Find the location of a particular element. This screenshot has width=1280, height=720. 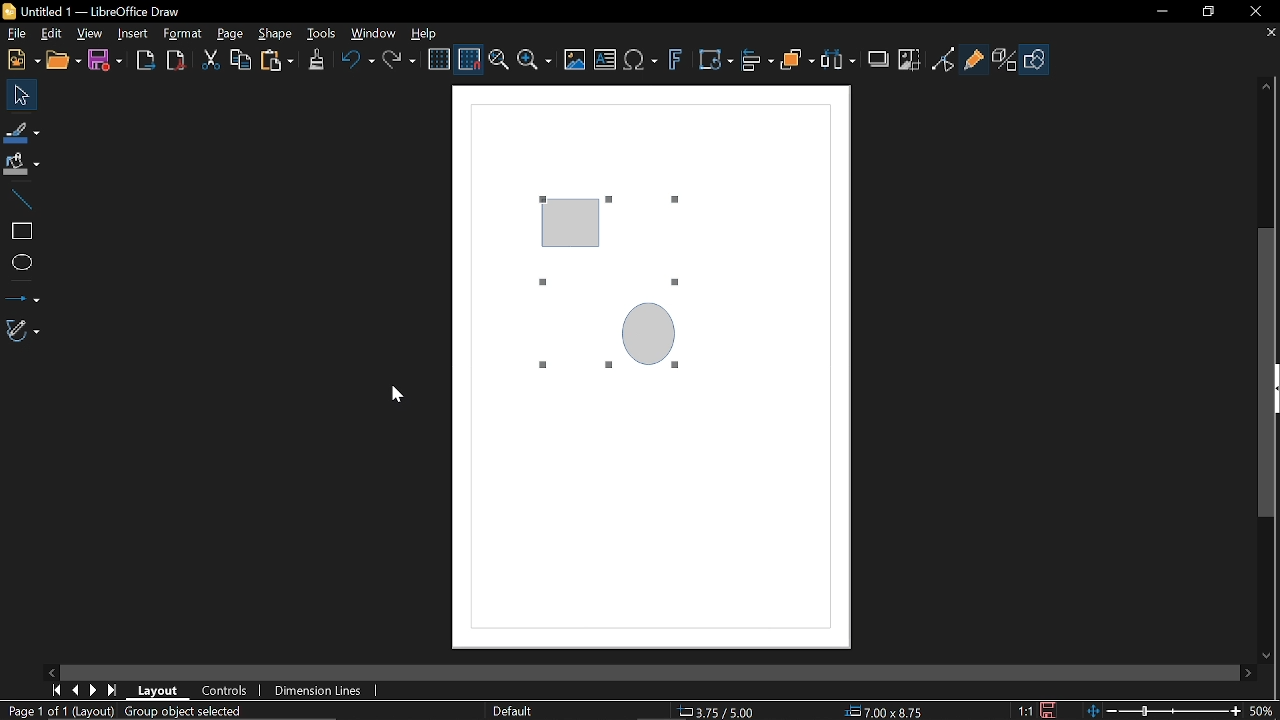

Align is located at coordinates (757, 62).